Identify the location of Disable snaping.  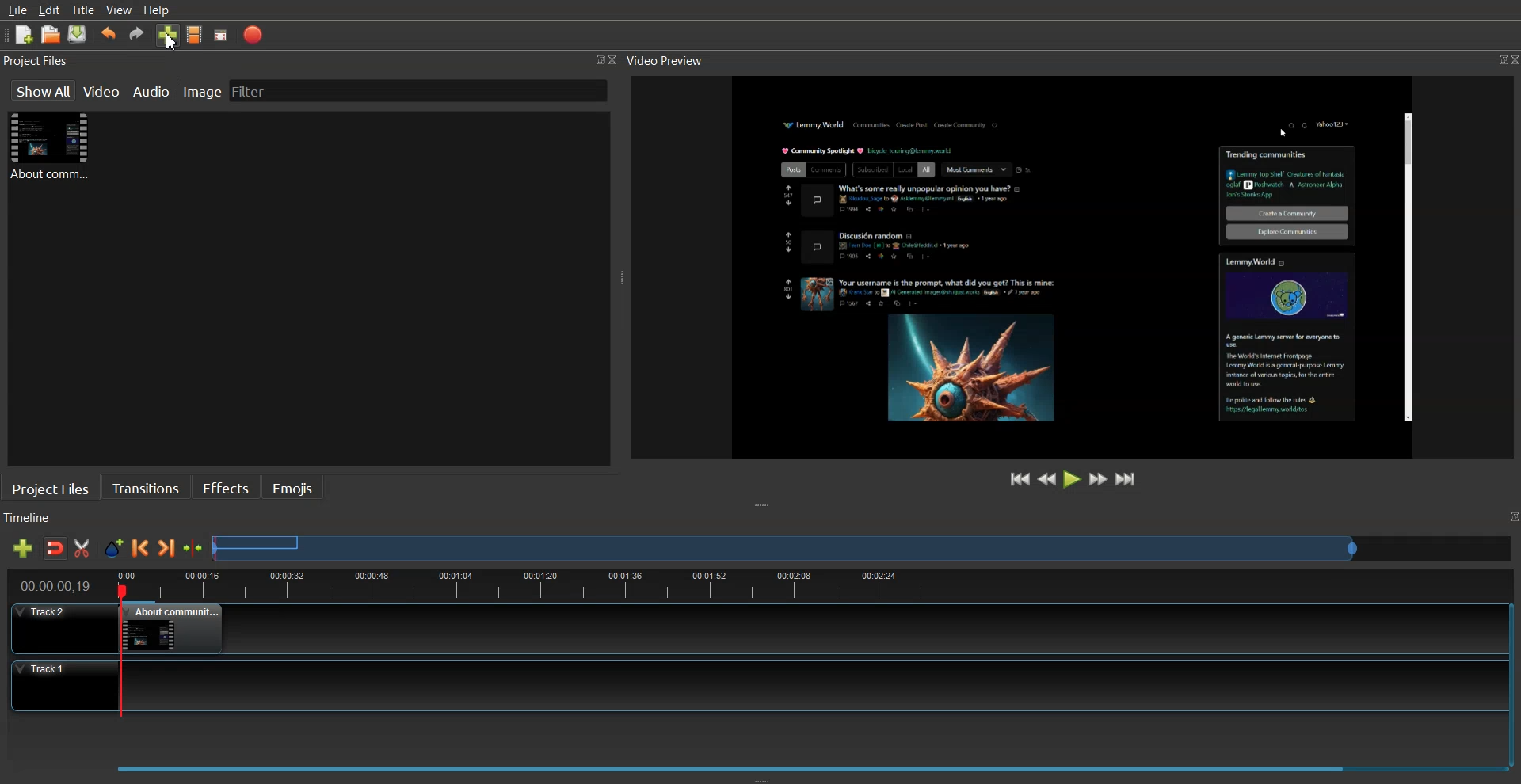
(55, 548).